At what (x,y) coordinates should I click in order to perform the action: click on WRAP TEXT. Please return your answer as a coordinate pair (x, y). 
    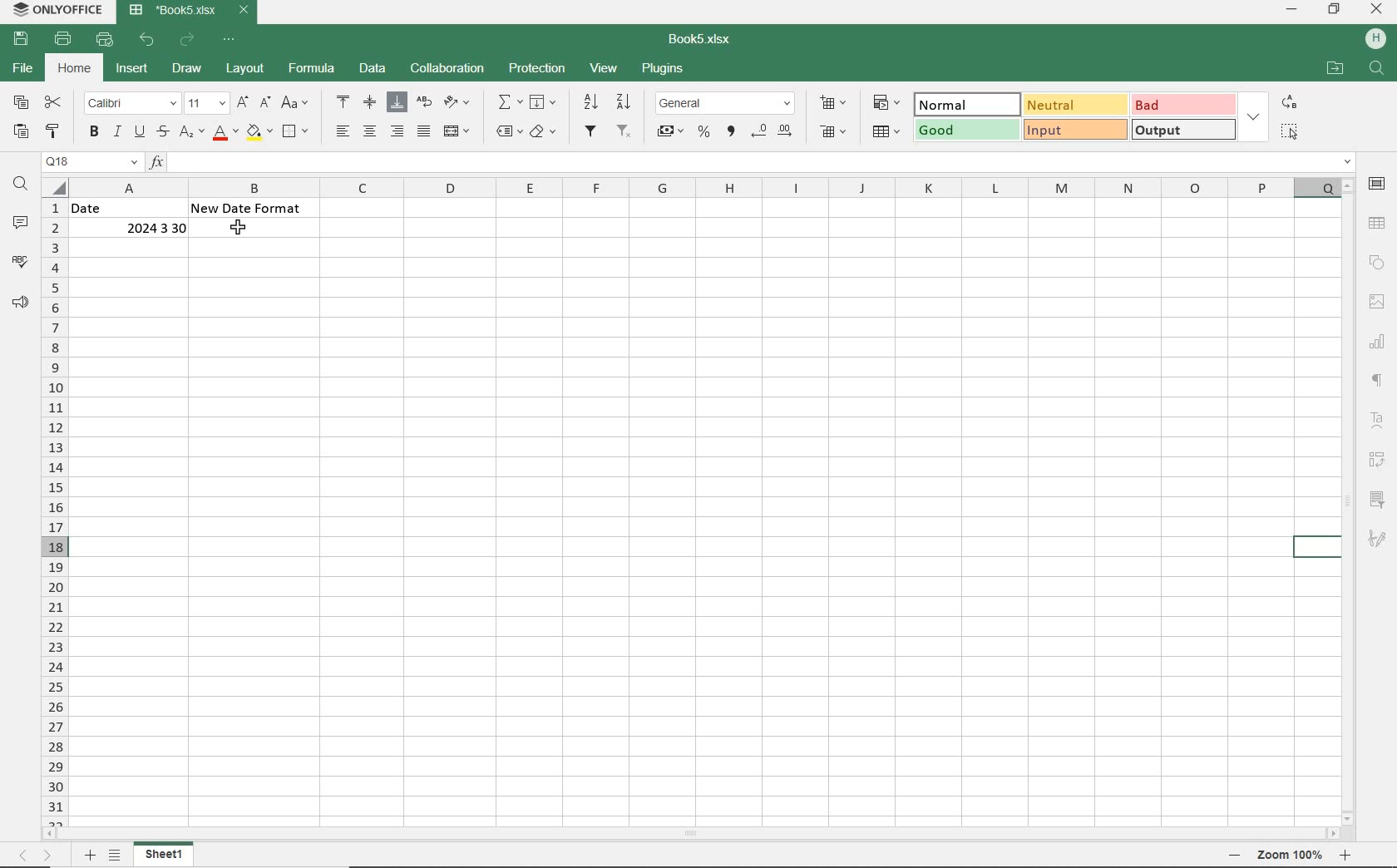
    Looking at the image, I should click on (424, 102).